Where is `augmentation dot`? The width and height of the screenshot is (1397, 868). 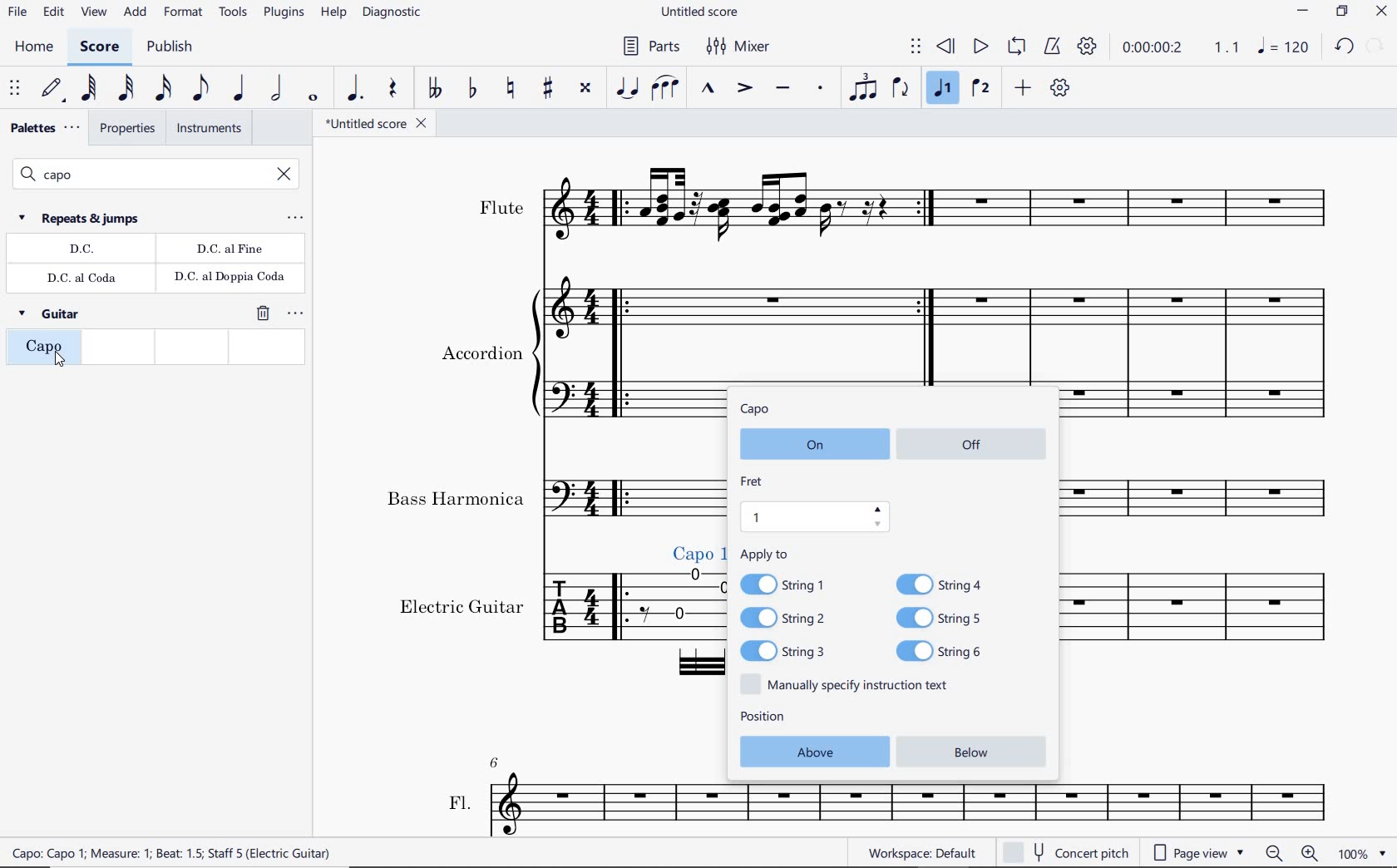
augmentation dot is located at coordinates (355, 89).